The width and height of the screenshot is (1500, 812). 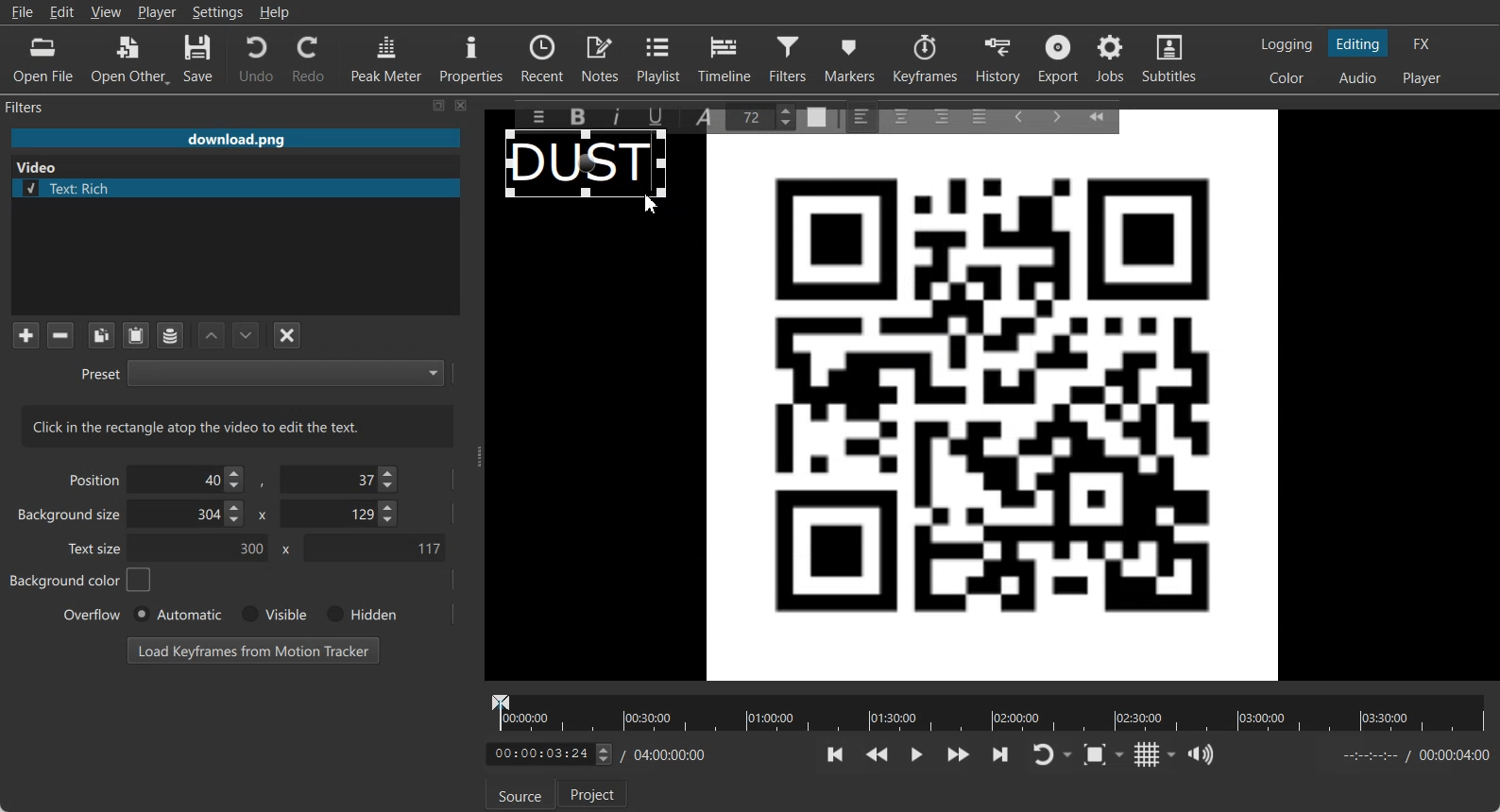 I want to click on Timing , so click(x=666, y=755).